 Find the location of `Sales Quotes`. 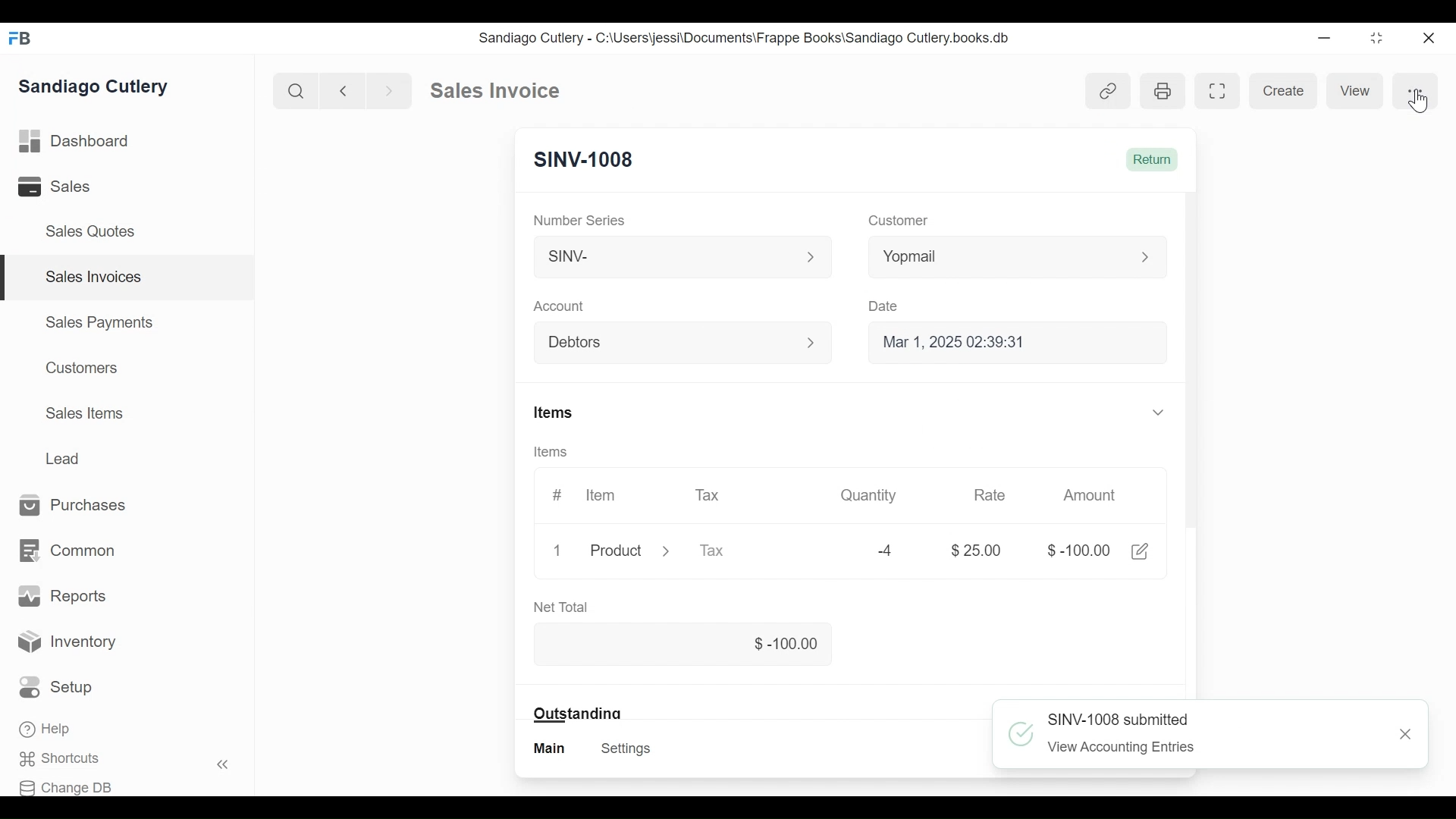

Sales Quotes is located at coordinates (93, 231).